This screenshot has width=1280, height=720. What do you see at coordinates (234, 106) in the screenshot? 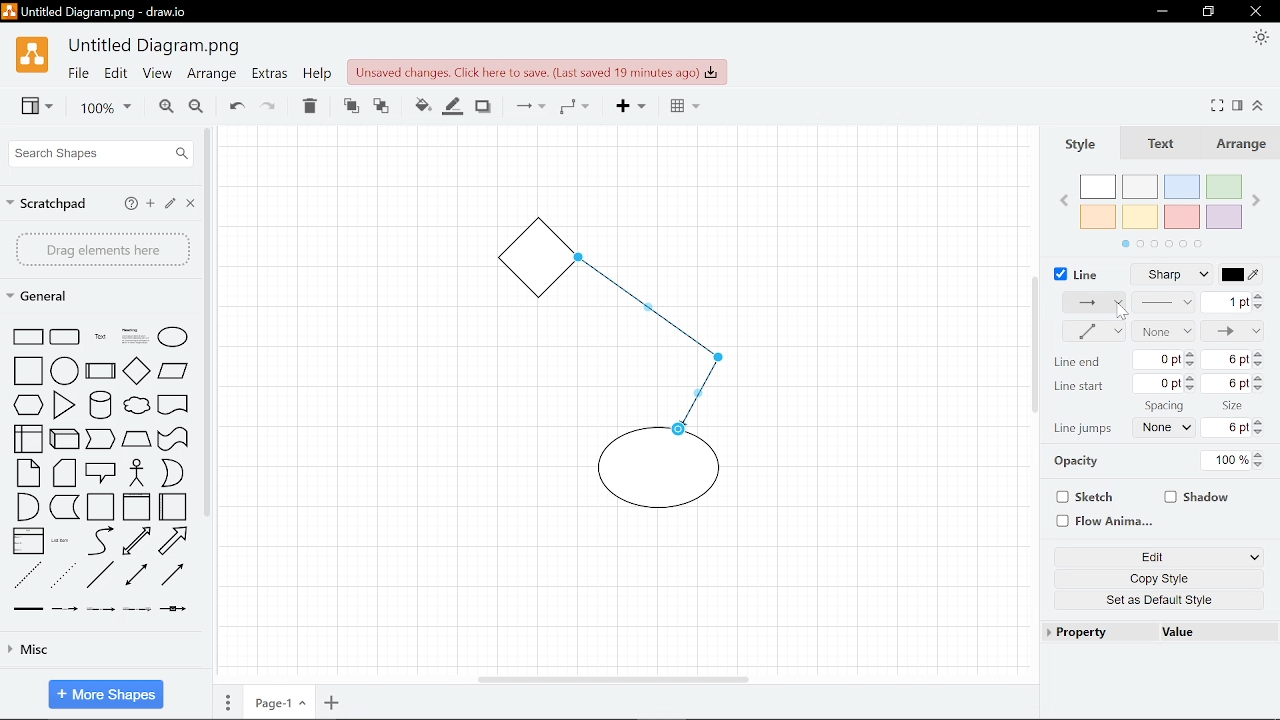
I see `Undo` at bounding box center [234, 106].